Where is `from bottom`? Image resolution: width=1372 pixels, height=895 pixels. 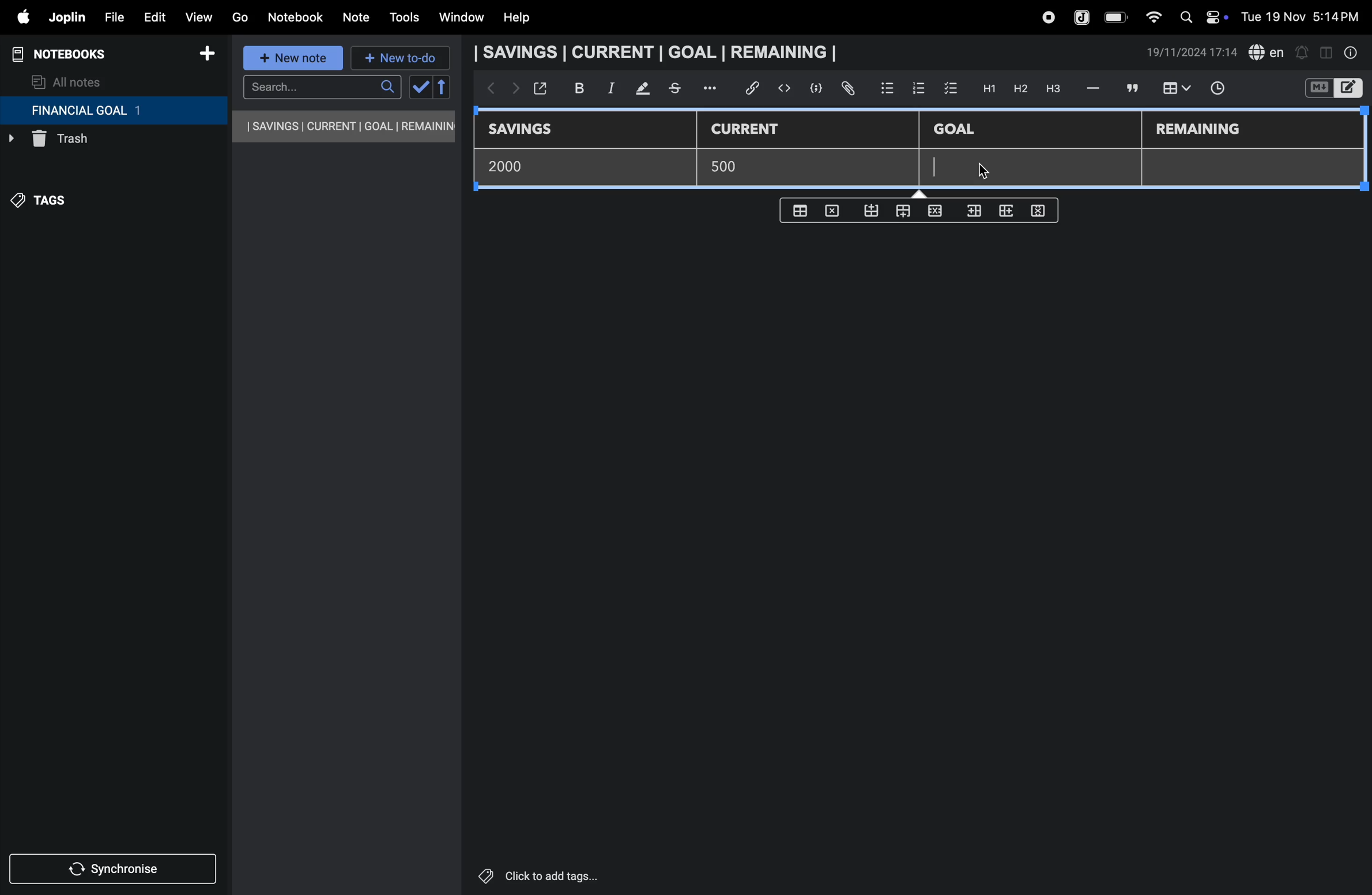
from bottom is located at coordinates (872, 211).